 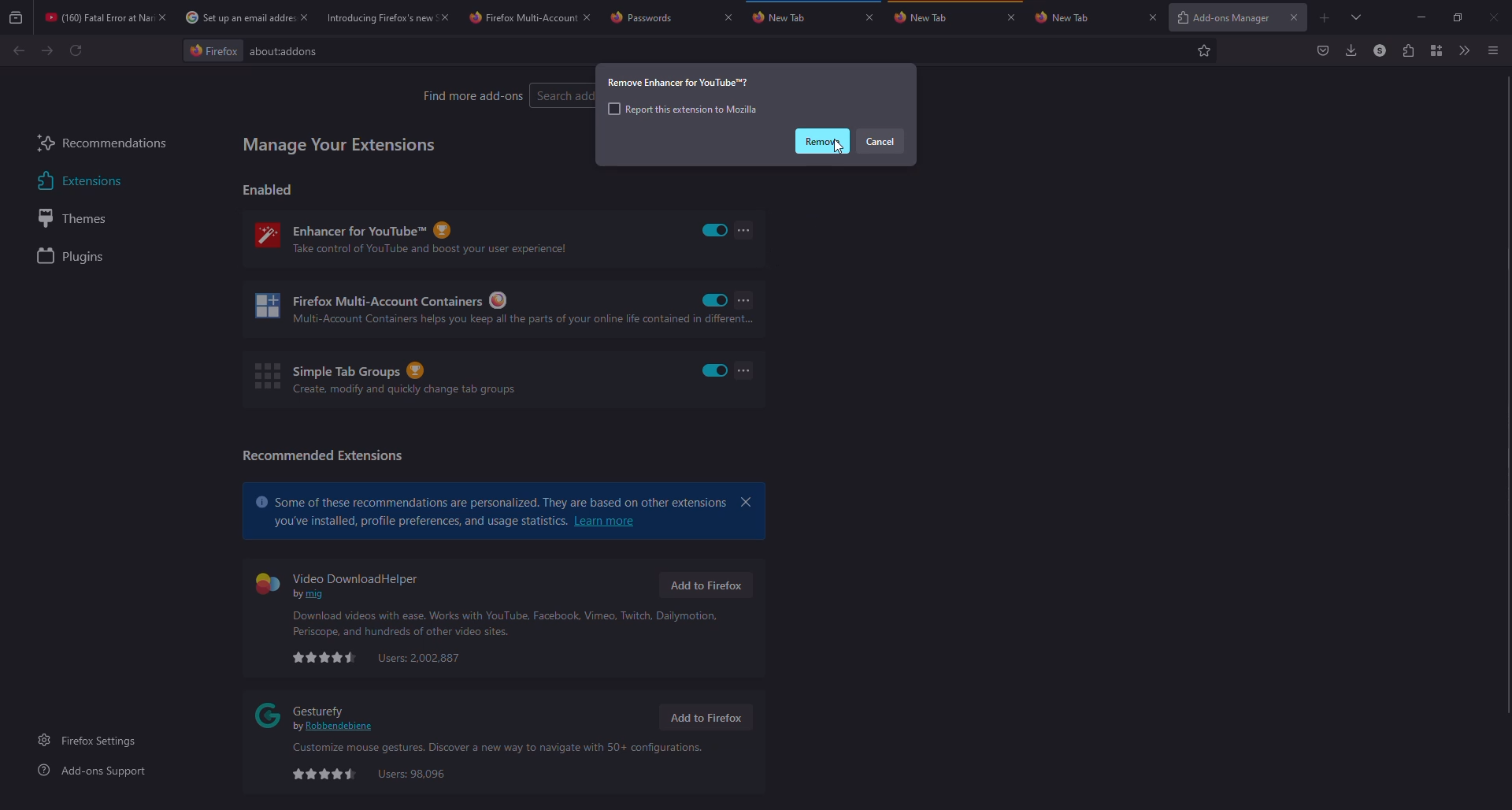 I want to click on manage, so click(x=340, y=145).